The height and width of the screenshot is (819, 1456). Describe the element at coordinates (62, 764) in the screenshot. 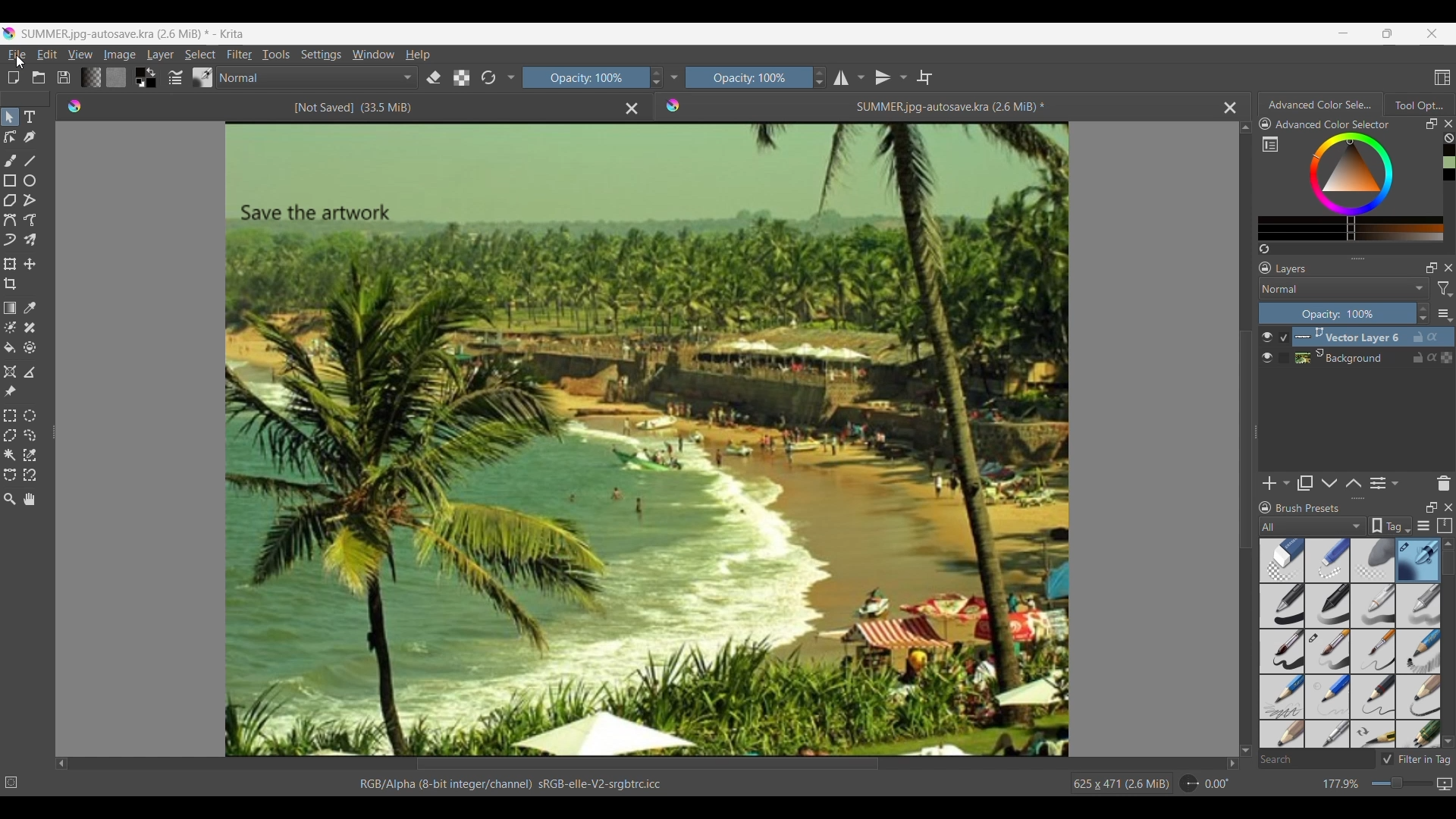

I see `Quick slide to left` at that location.